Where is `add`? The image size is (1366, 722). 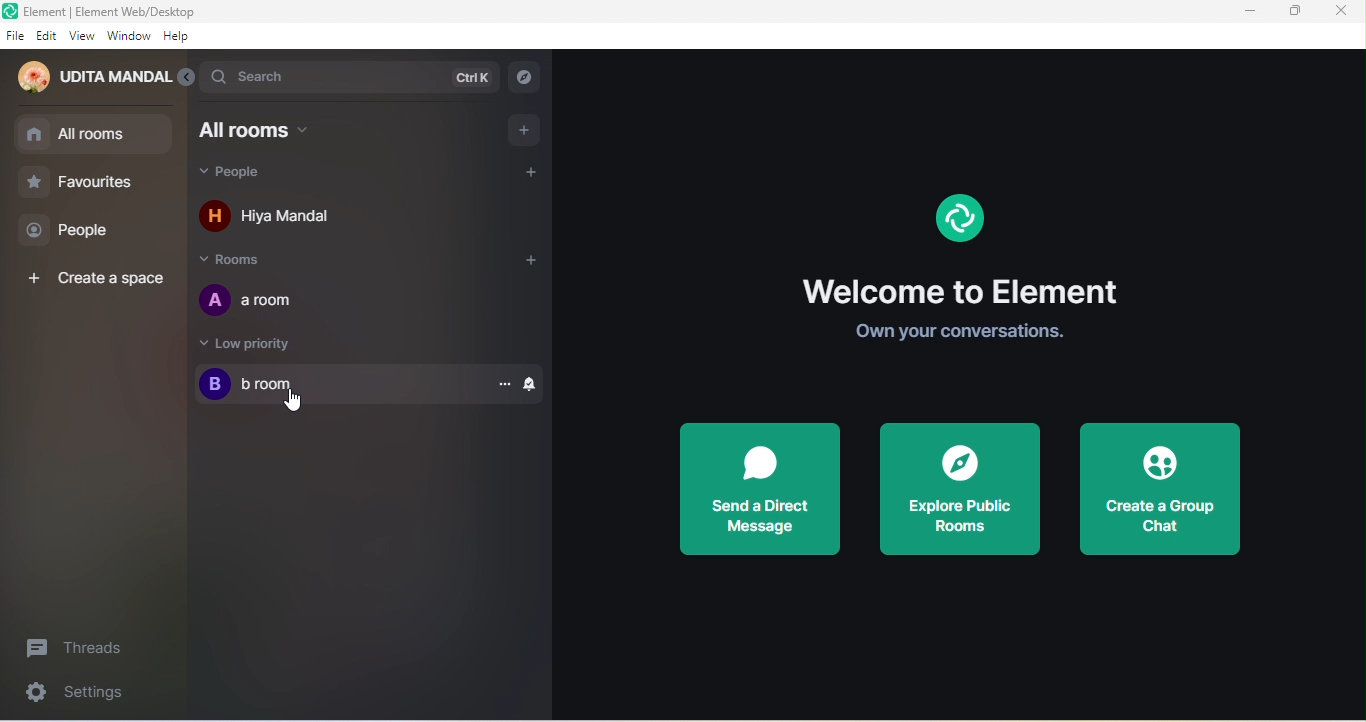
add is located at coordinates (524, 129).